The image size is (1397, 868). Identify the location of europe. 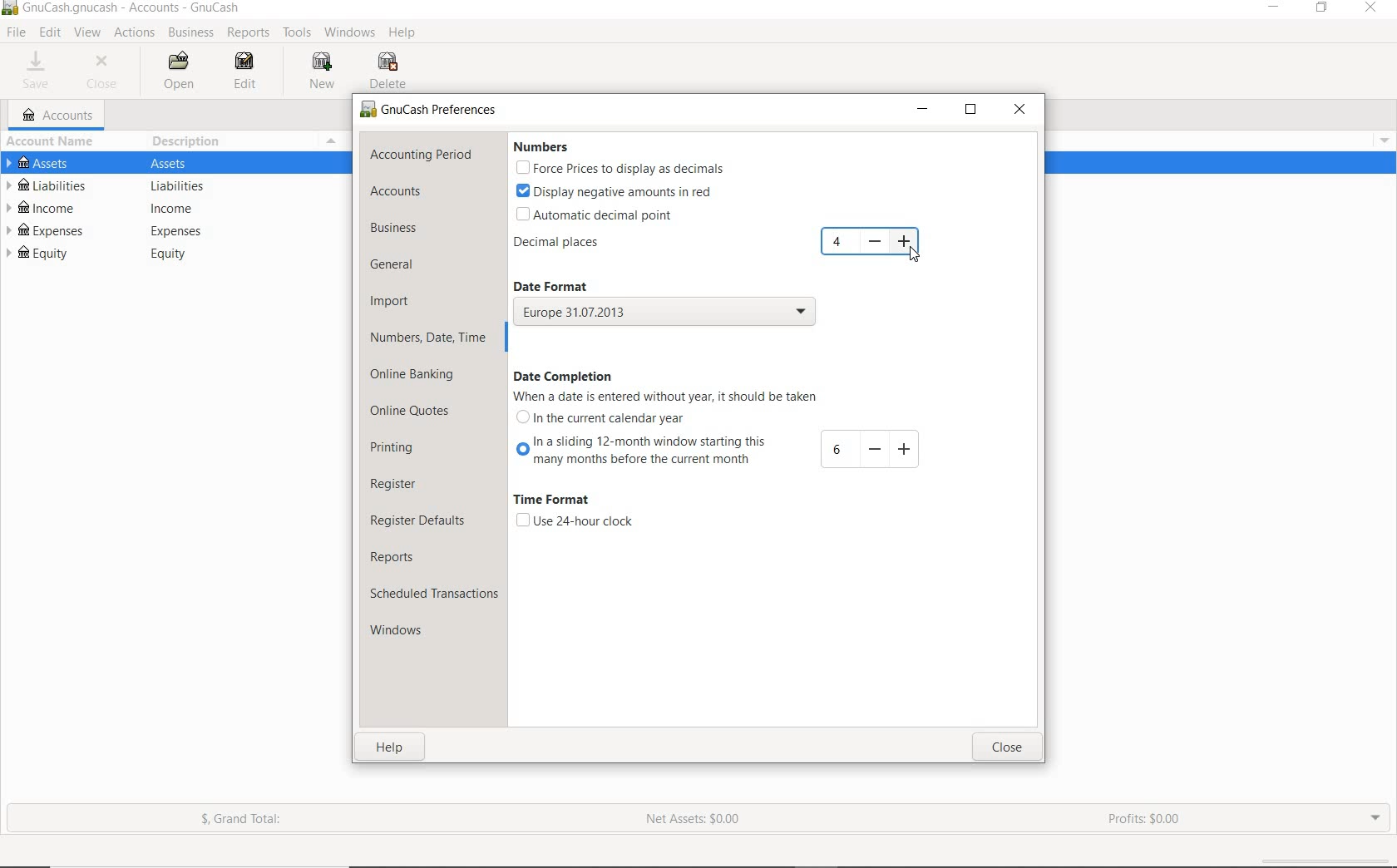
(664, 313).